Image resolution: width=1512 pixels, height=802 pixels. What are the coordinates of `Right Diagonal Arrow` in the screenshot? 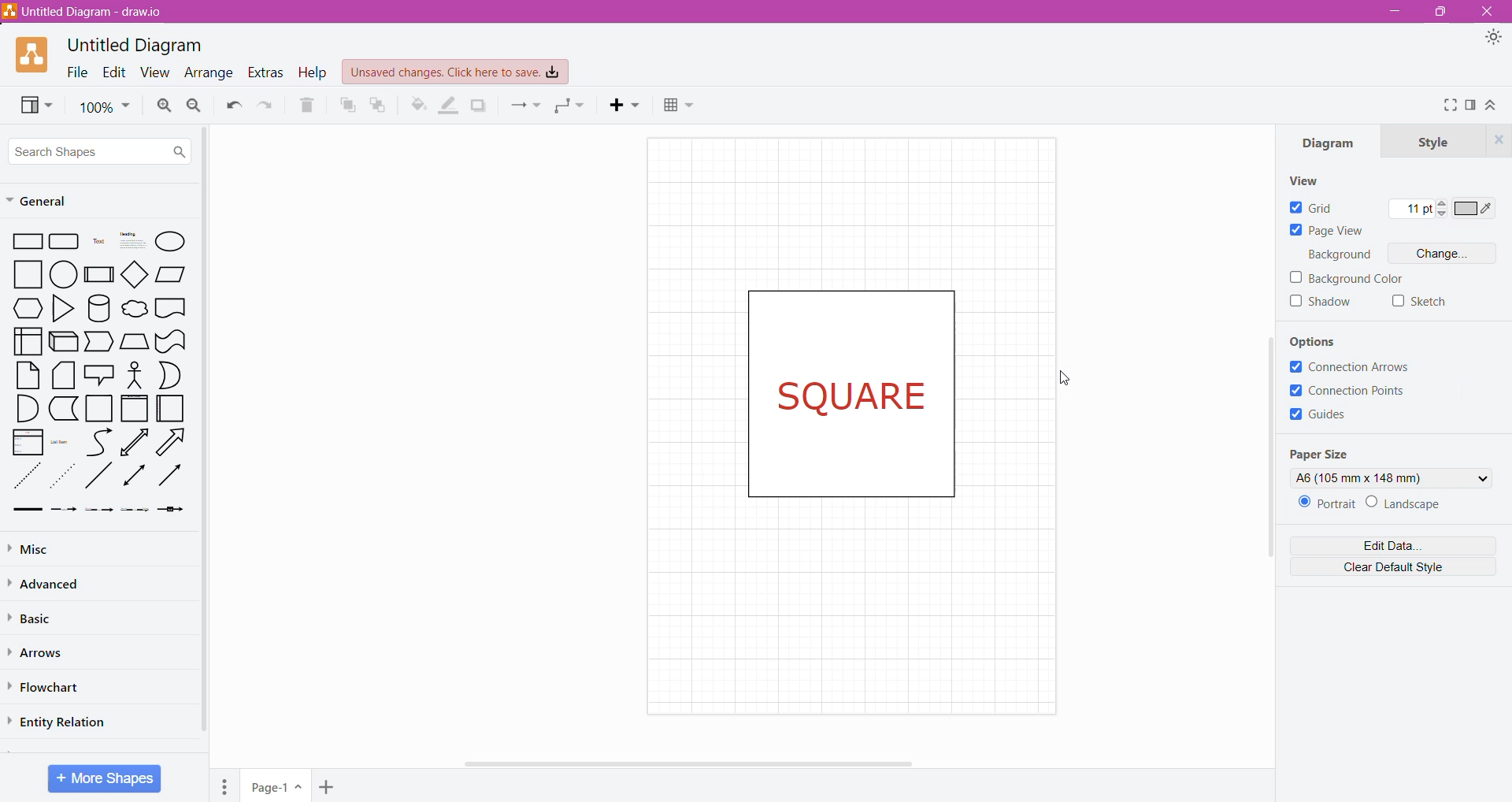 It's located at (173, 443).